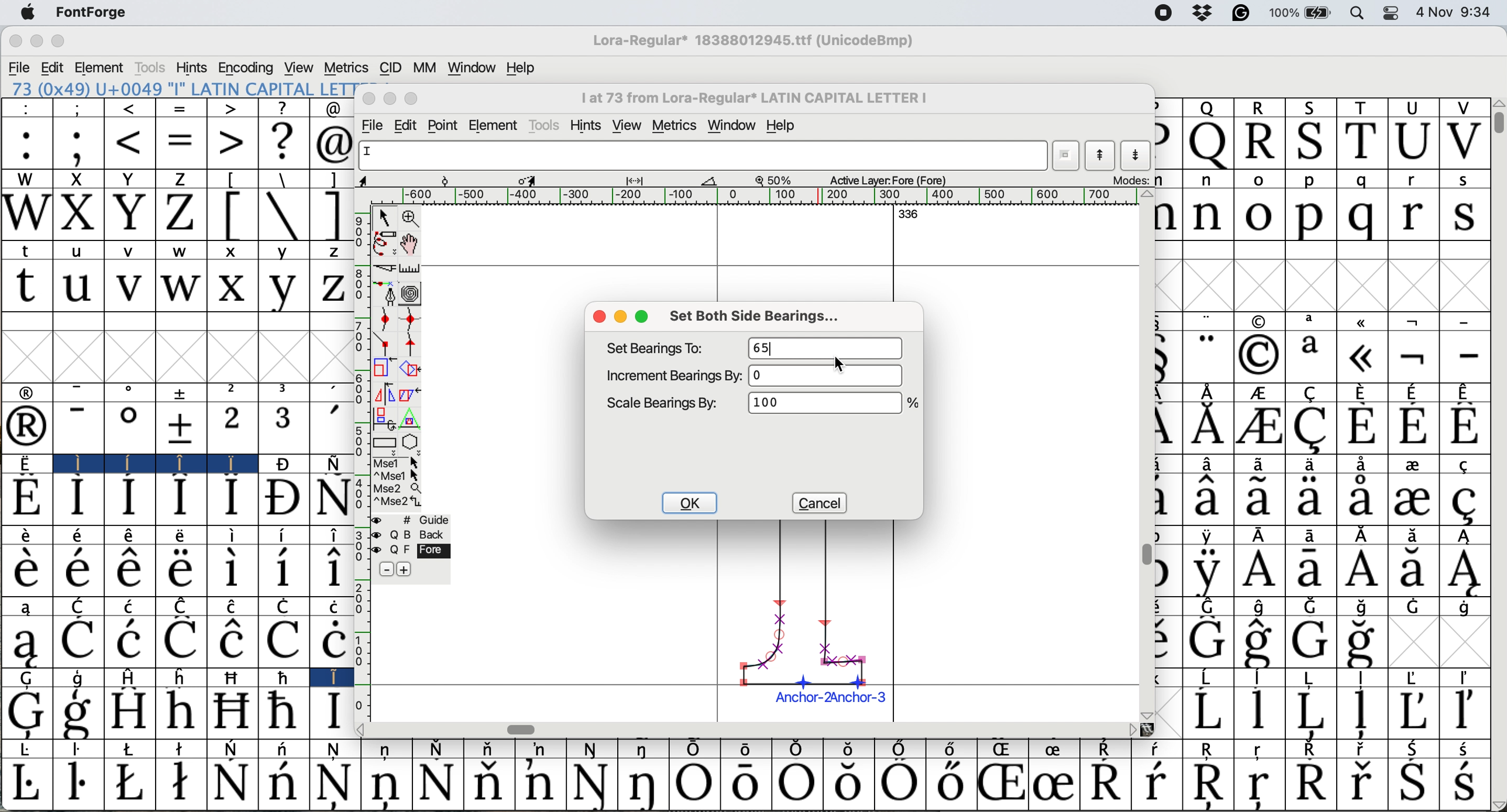 The image size is (1507, 812). What do you see at coordinates (750, 42) in the screenshot?
I see `Lora regular*18388012945.ttf (UnicodeBmp)` at bounding box center [750, 42].